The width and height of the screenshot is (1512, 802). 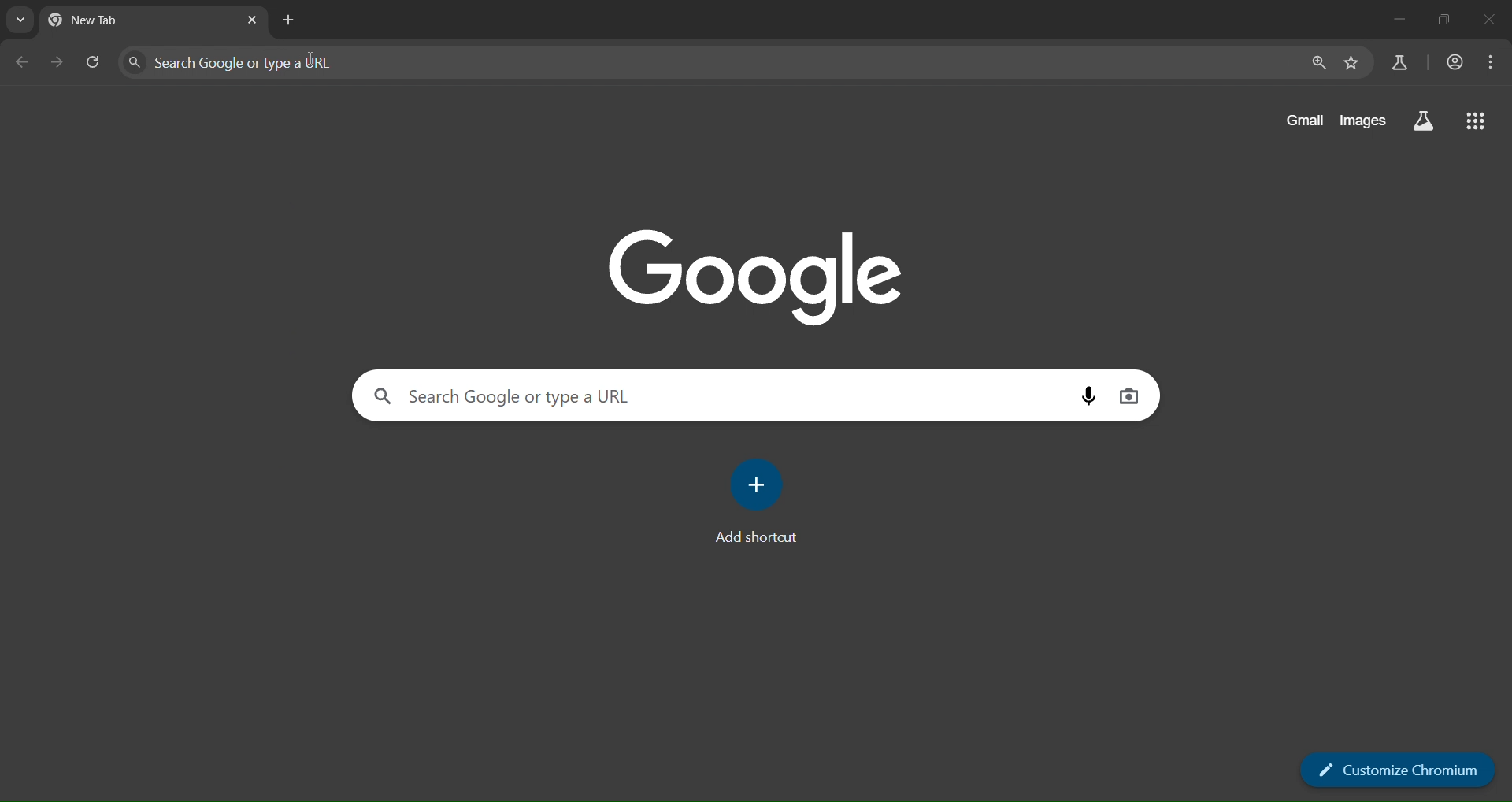 I want to click on close, so click(x=1492, y=18).